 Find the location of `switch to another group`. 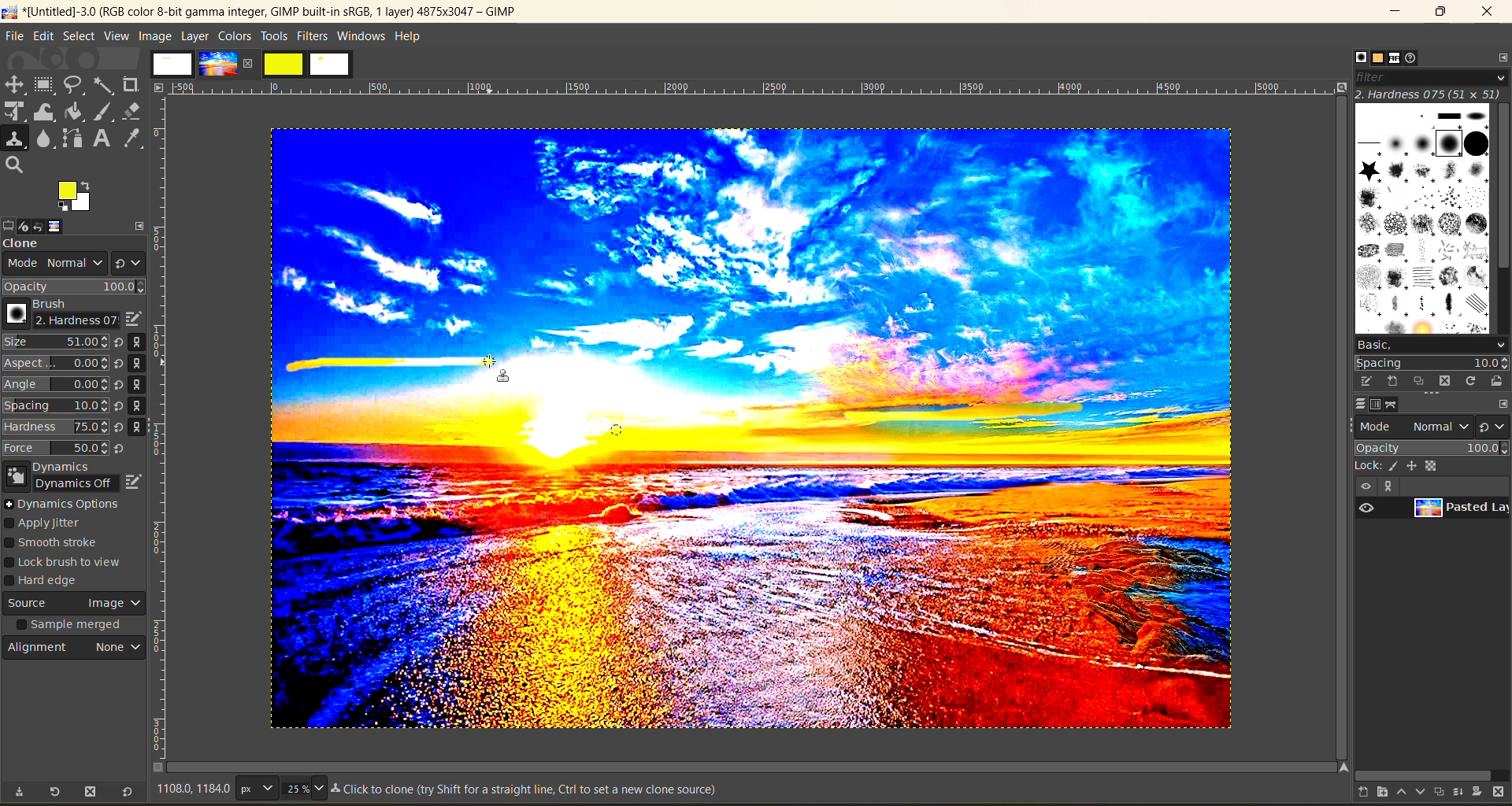

switch to another group is located at coordinates (1495, 426).